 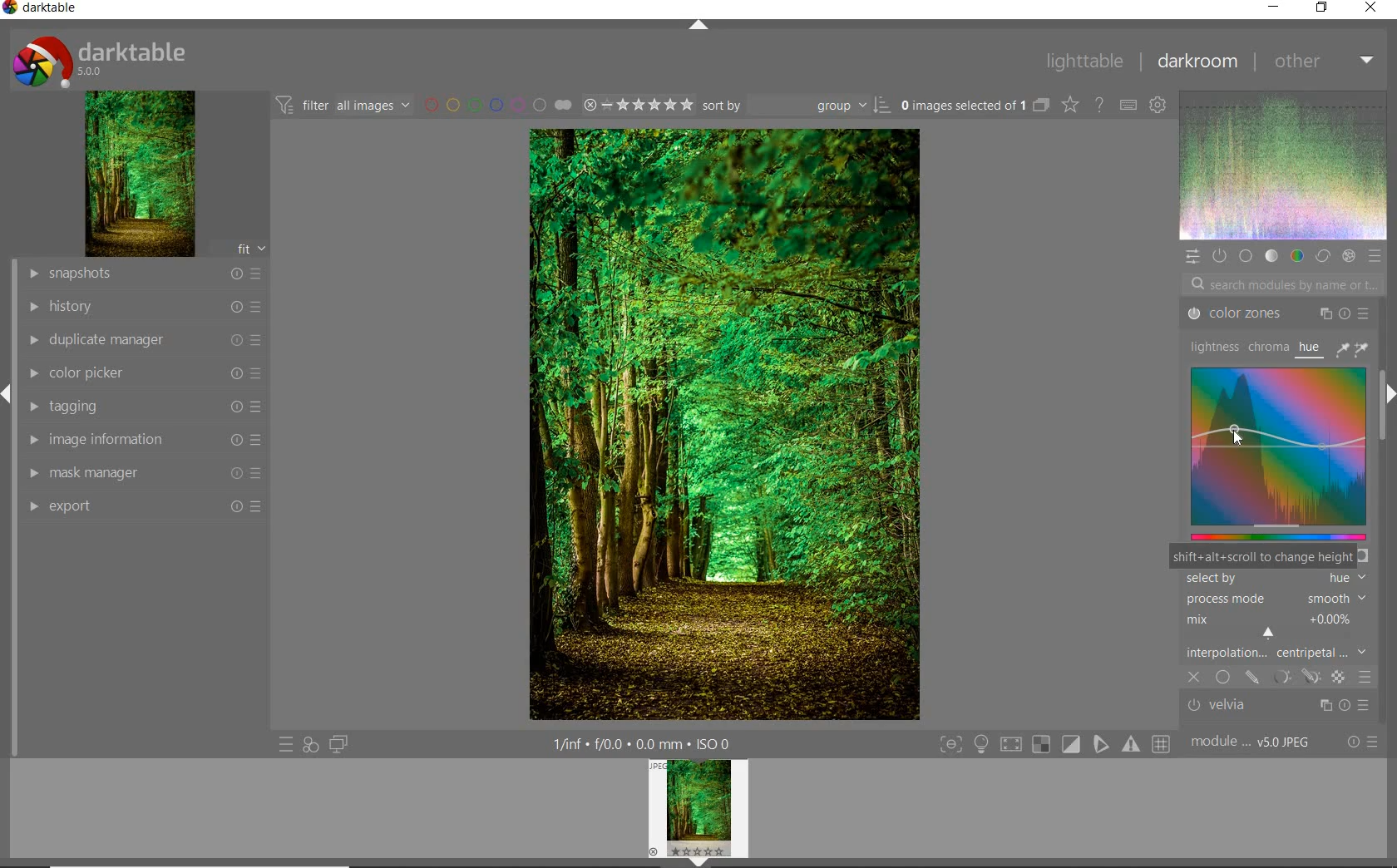 I want to click on TOGGLE MODES, so click(x=1054, y=745).